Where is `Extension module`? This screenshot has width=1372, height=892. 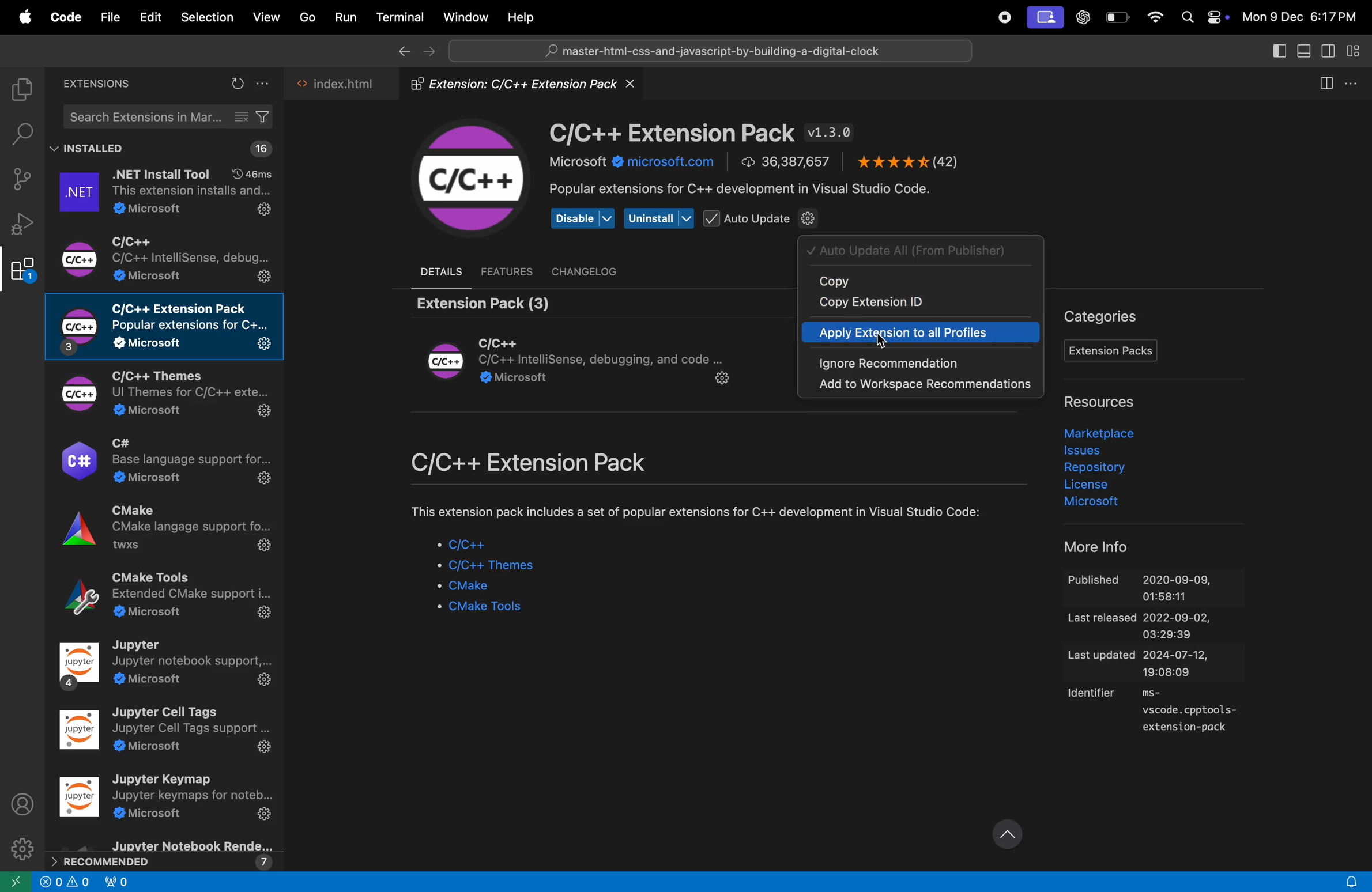 Extension module is located at coordinates (582, 363).